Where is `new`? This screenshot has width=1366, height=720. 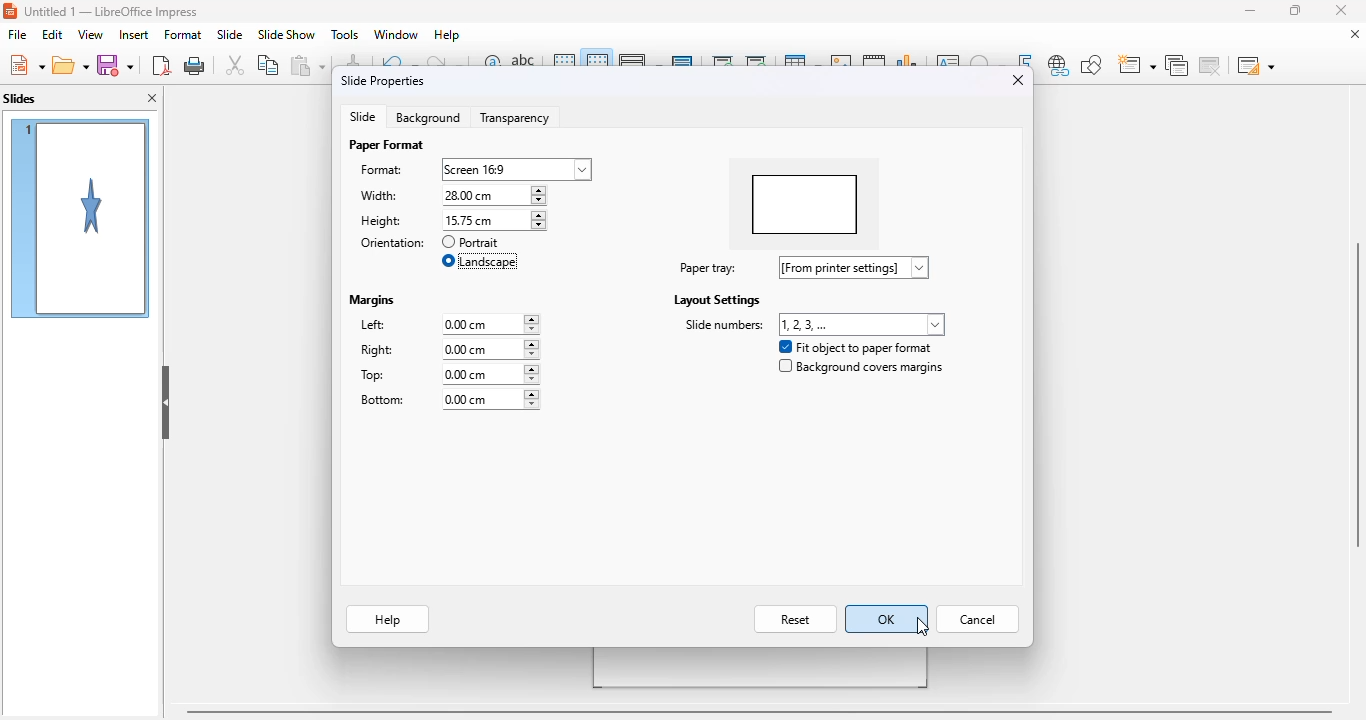 new is located at coordinates (26, 65).